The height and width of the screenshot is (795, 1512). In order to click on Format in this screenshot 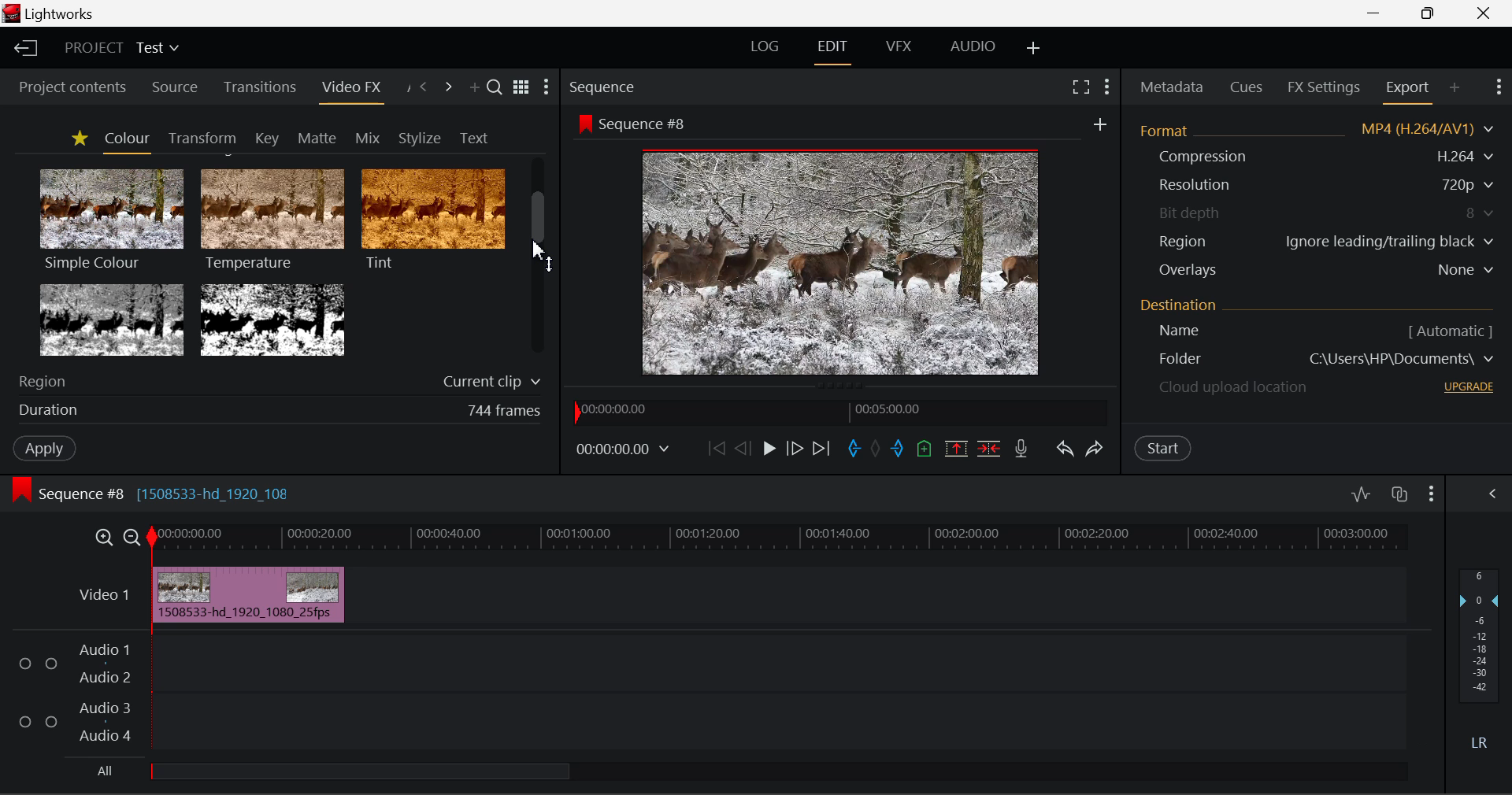, I will do `click(1168, 129)`.